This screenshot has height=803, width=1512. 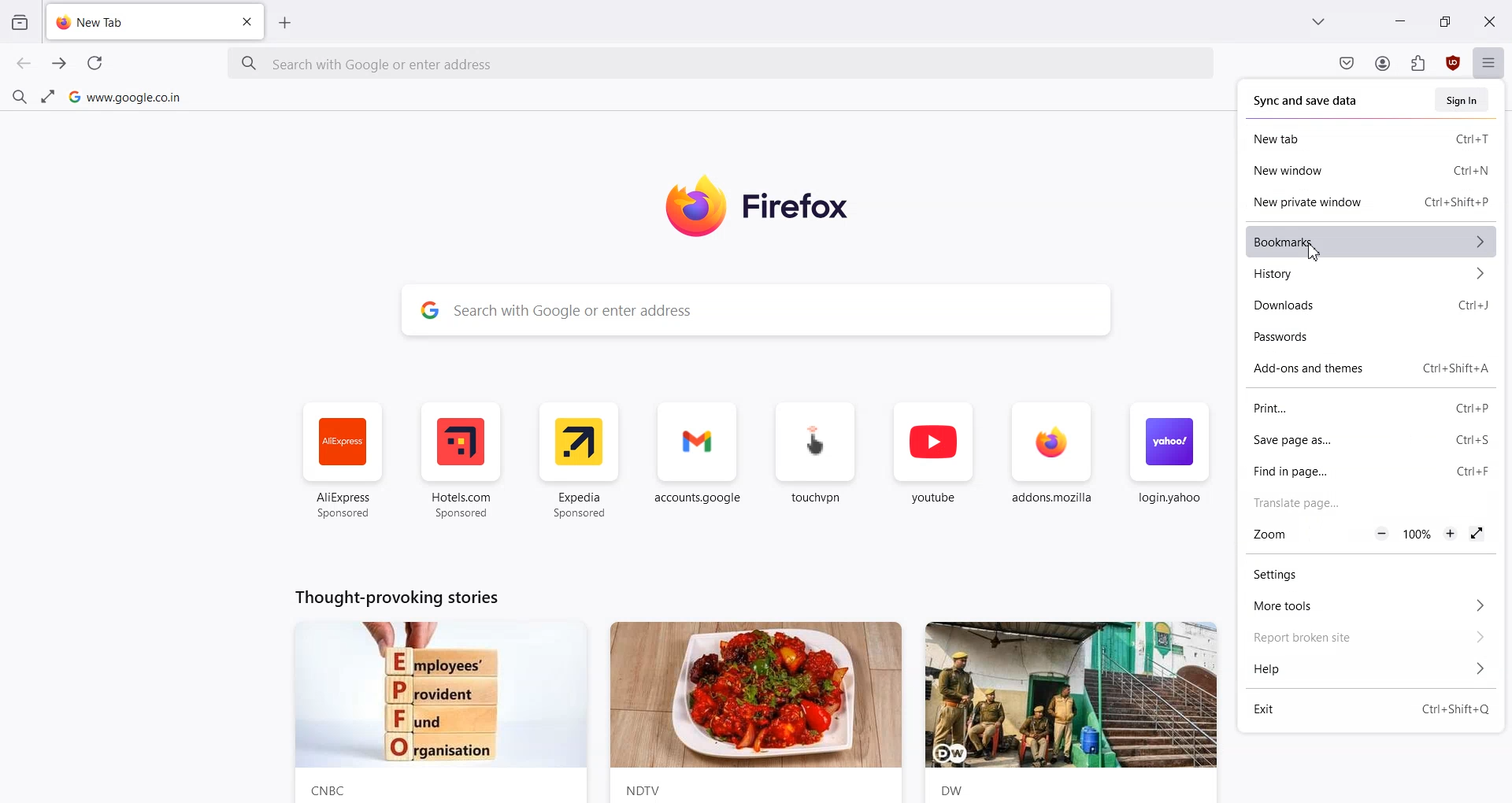 What do you see at coordinates (94, 63) in the screenshot?
I see `Refresh` at bounding box center [94, 63].